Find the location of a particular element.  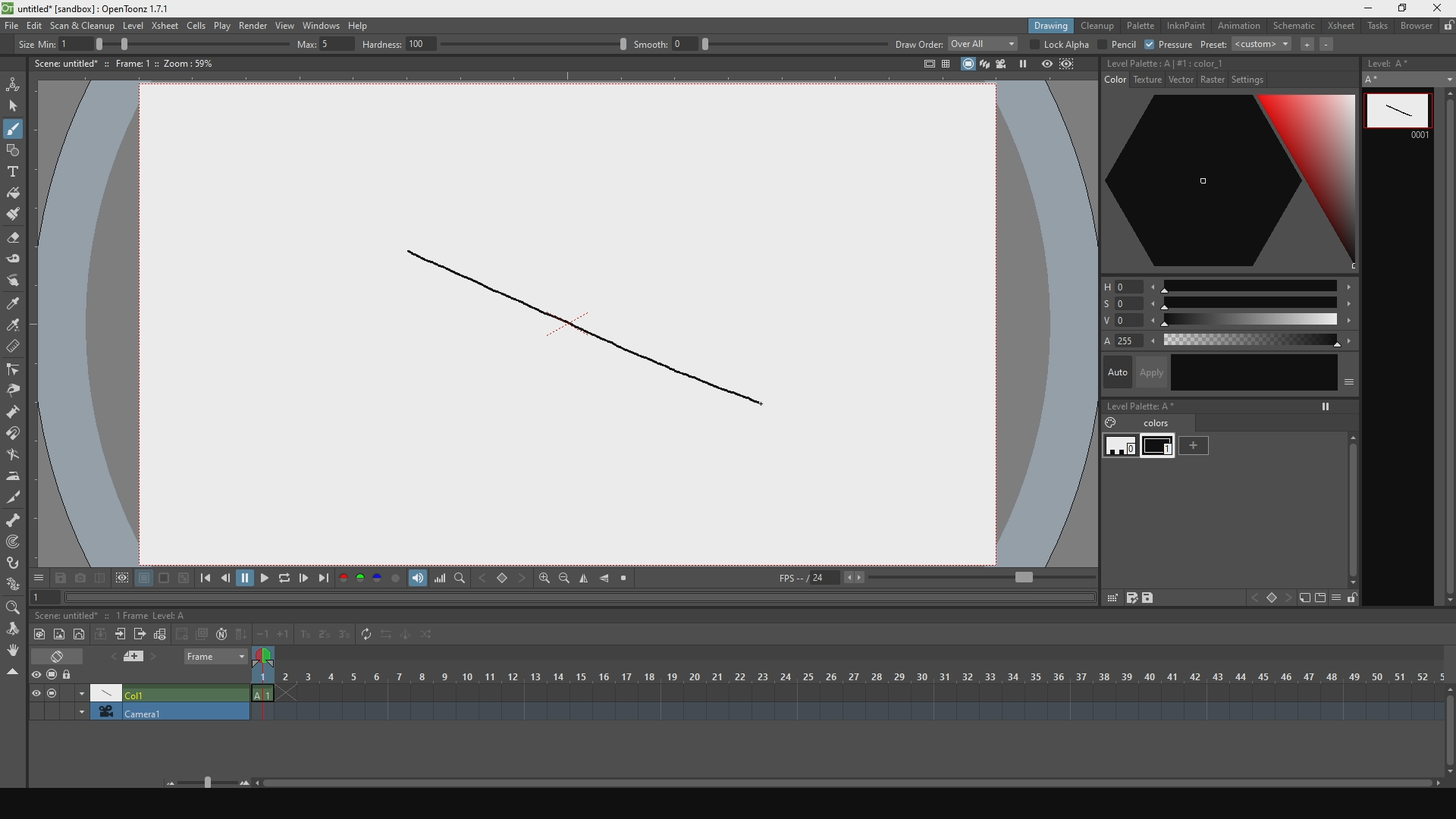

draw is located at coordinates (17, 127).